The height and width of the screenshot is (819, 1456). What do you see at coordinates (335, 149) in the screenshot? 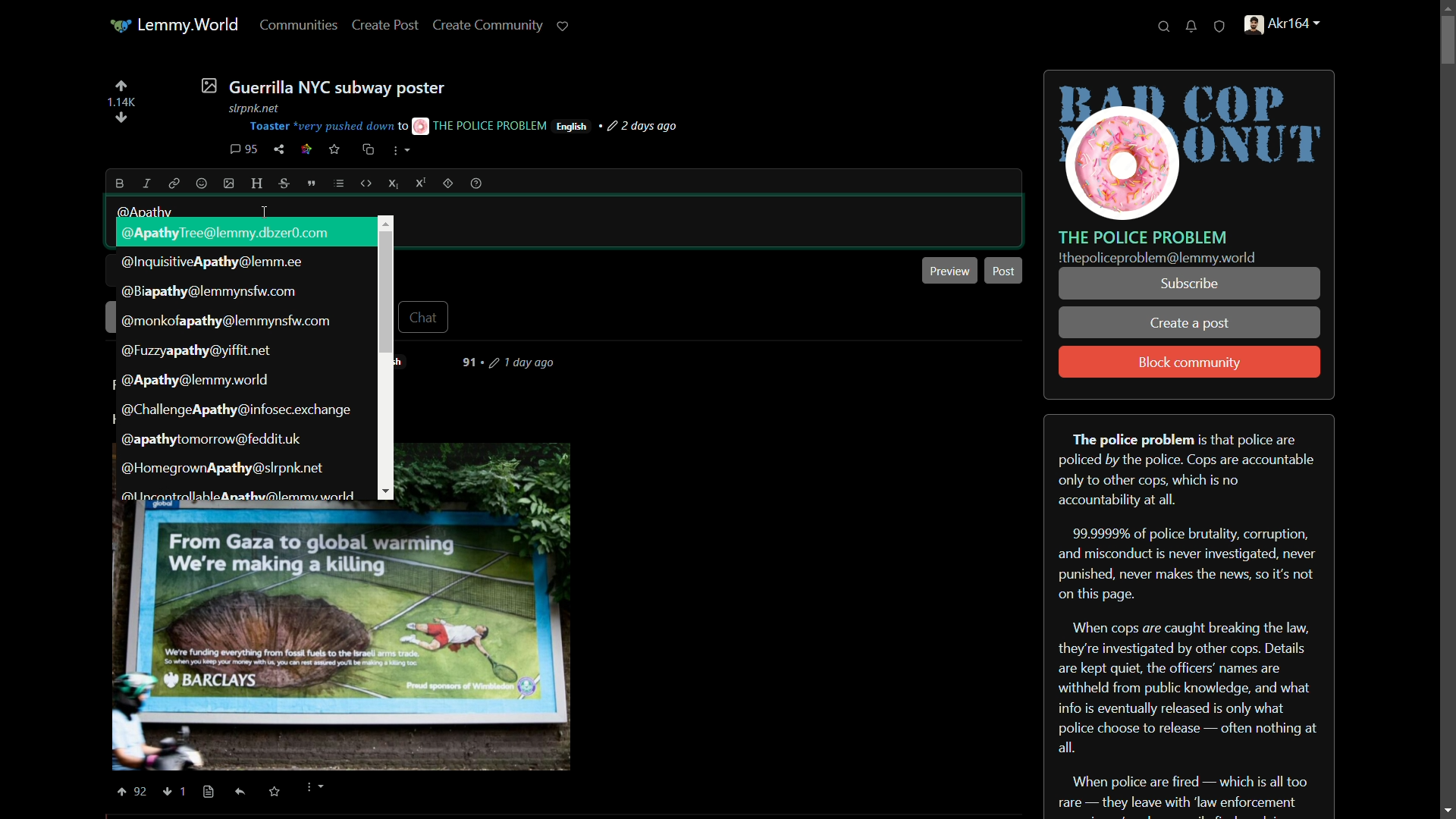
I see `save` at bounding box center [335, 149].